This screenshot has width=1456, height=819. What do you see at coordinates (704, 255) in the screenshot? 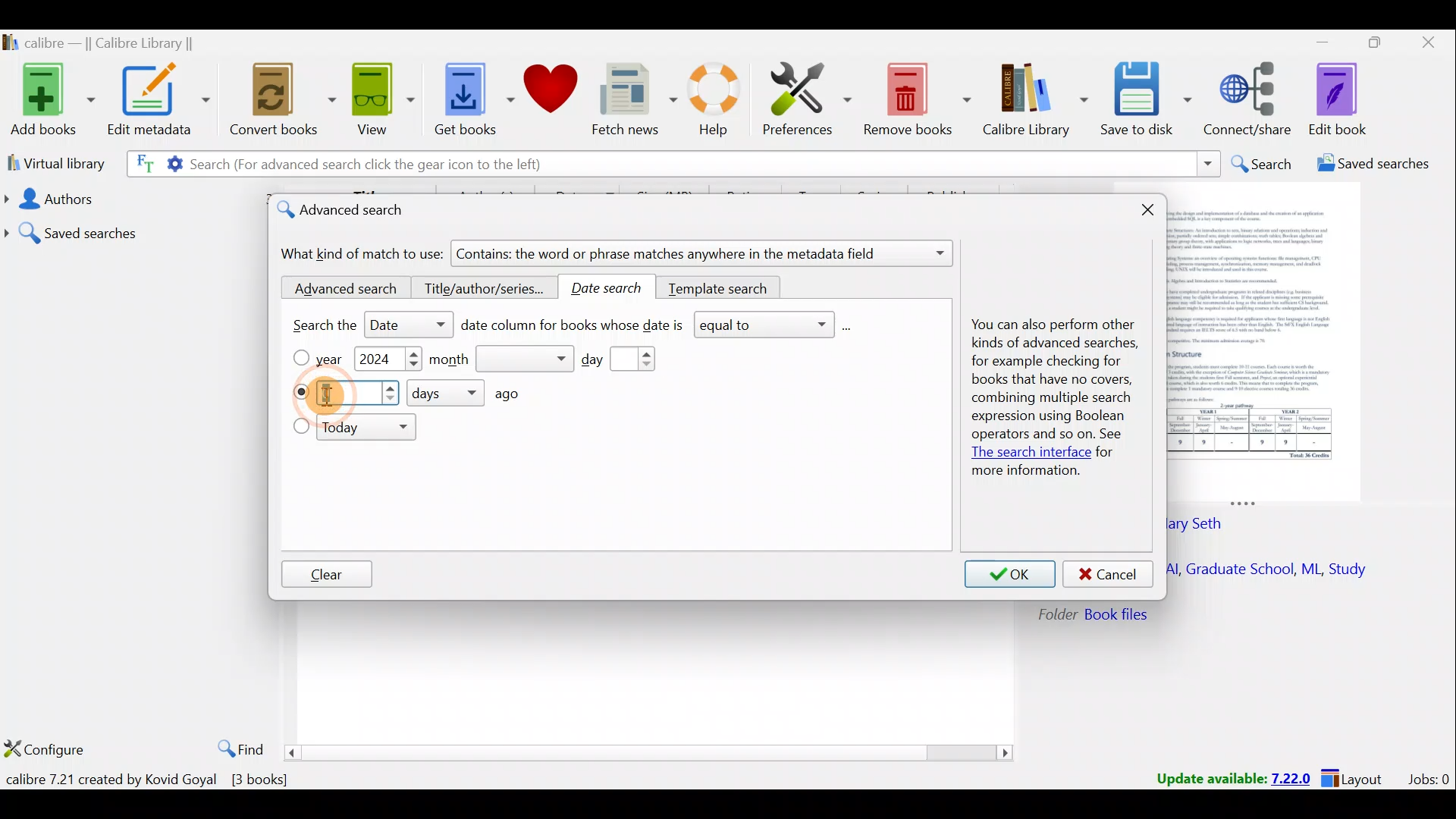
I see `Contains: the word or phrase matches anywhere in the metadata field` at bounding box center [704, 255].